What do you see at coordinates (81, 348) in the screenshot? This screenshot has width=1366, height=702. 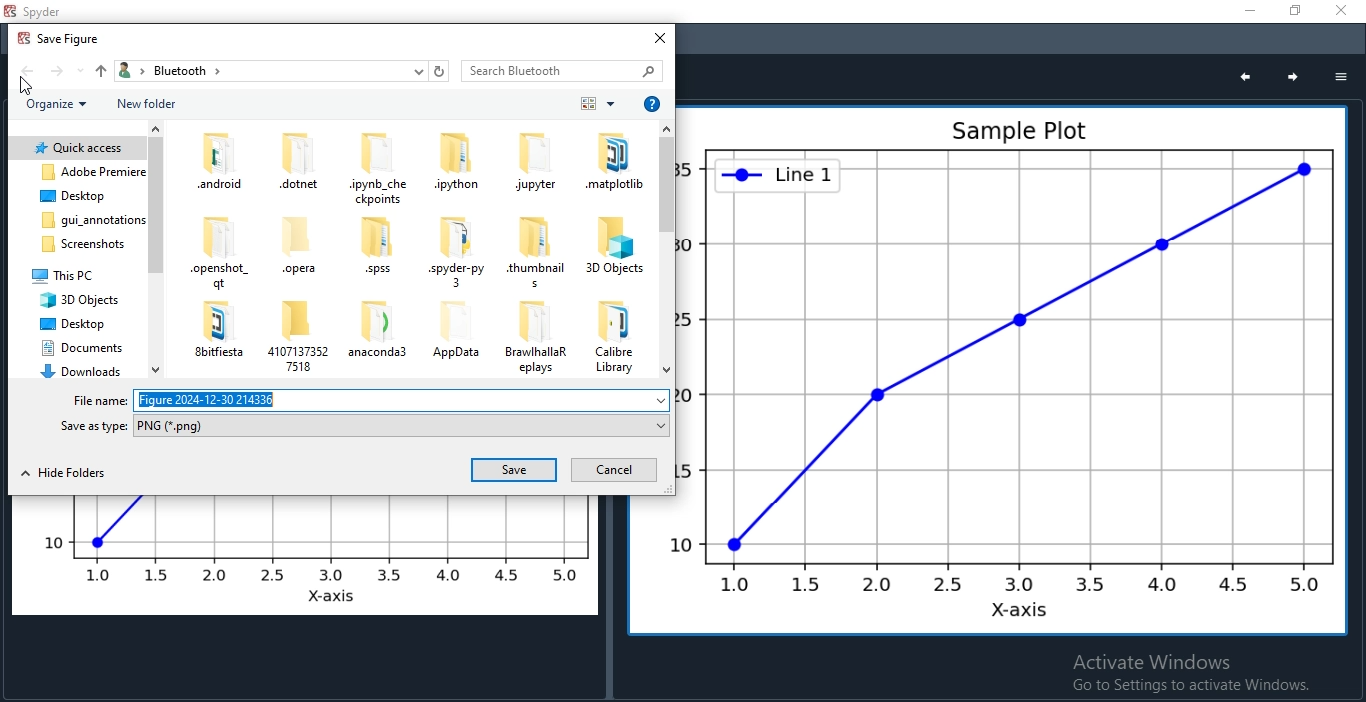 I see `folder 9` at bounding box center [81, 348].